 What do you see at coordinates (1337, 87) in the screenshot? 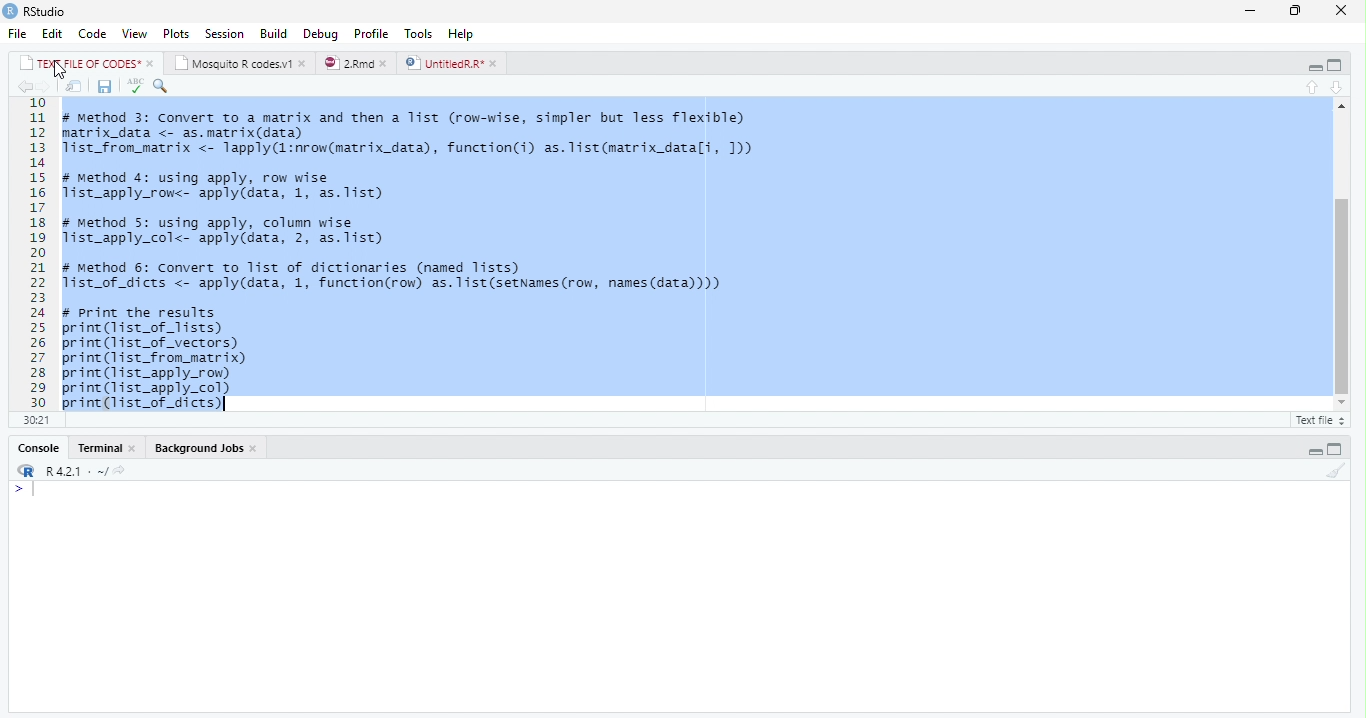
I see `Previous section` at bounding box center [1337, 87].